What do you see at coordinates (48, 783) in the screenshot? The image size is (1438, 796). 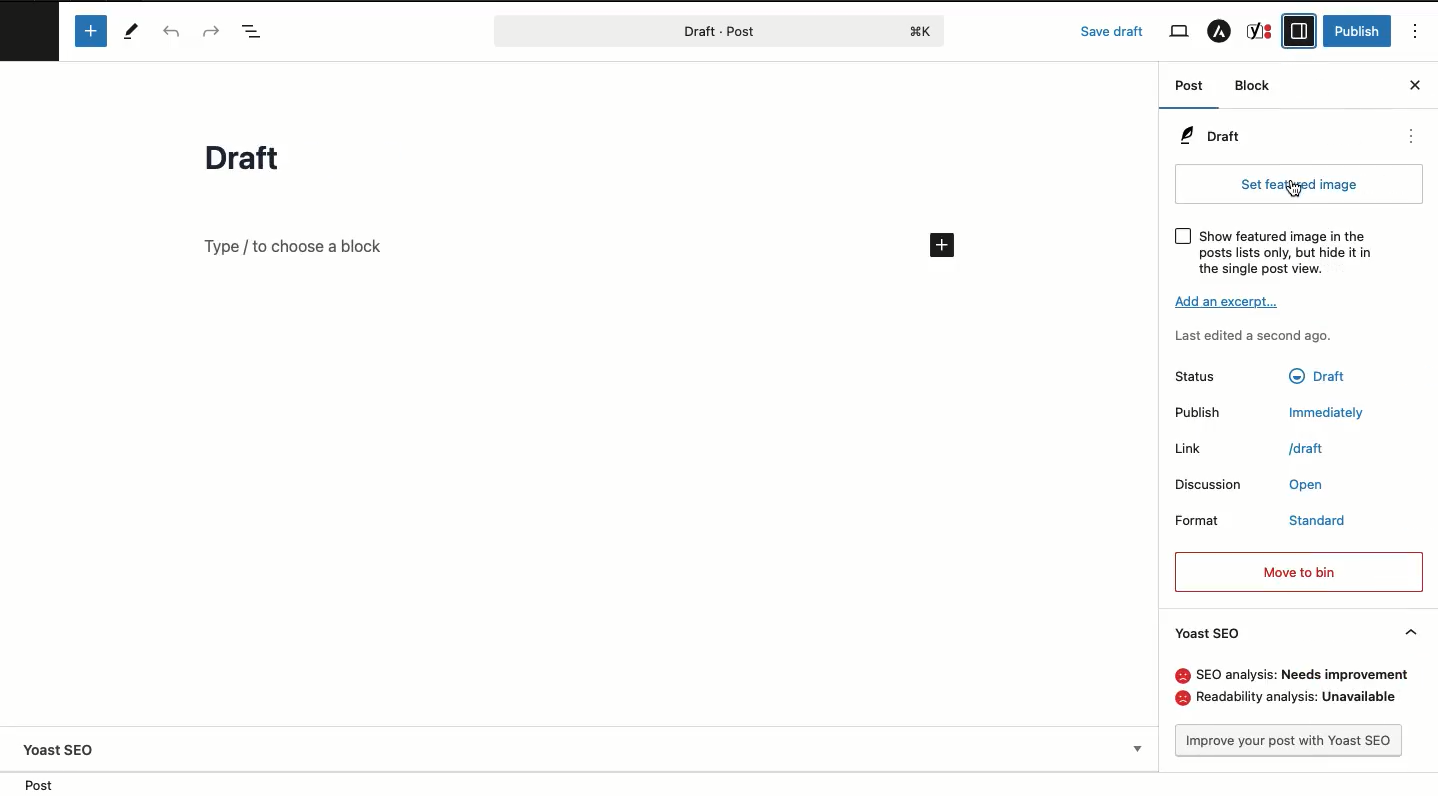 I see `Location` at bounding box center [48, 783].